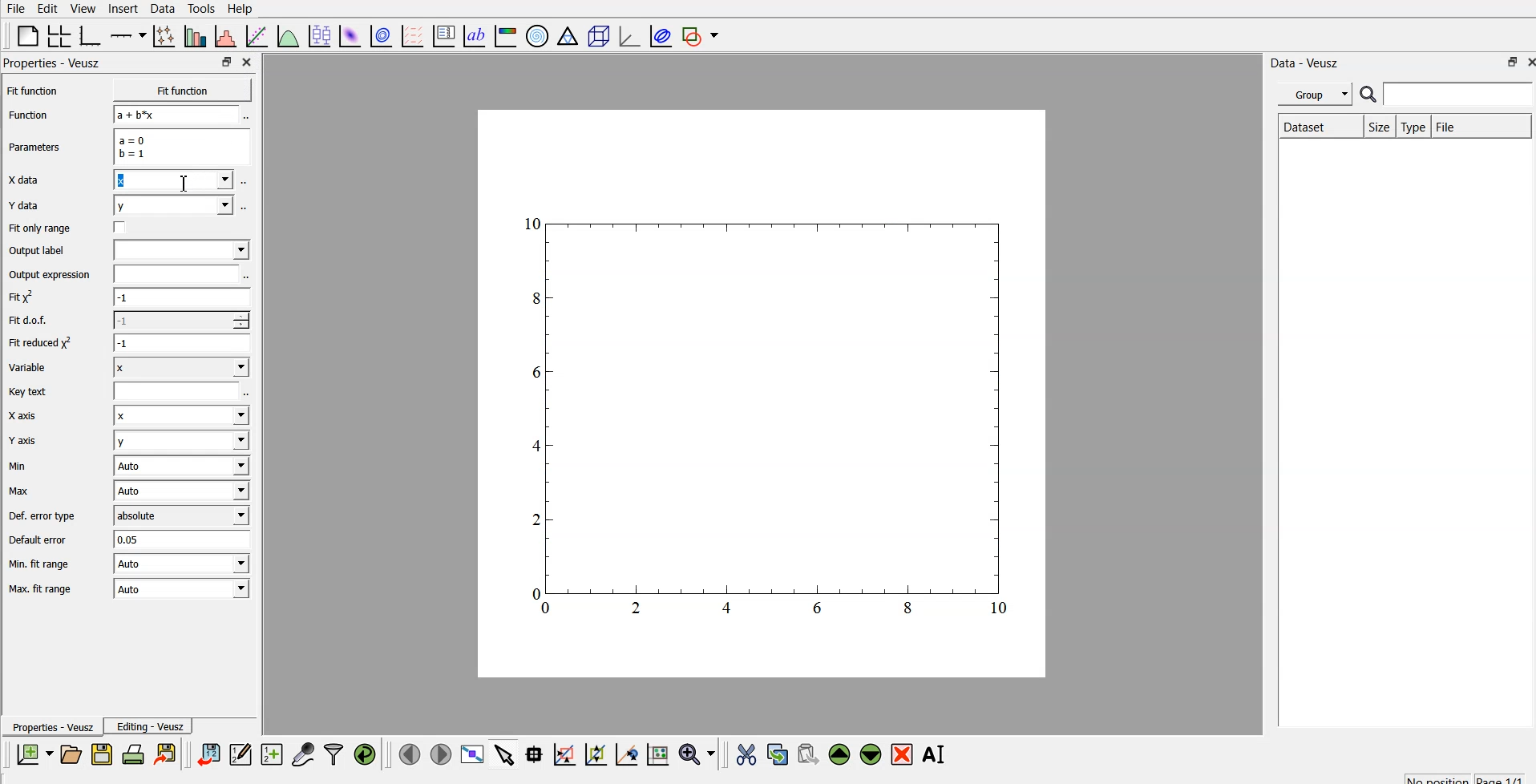 The image size is (1536, 784). I want to click on a+b, so click(175, 115).